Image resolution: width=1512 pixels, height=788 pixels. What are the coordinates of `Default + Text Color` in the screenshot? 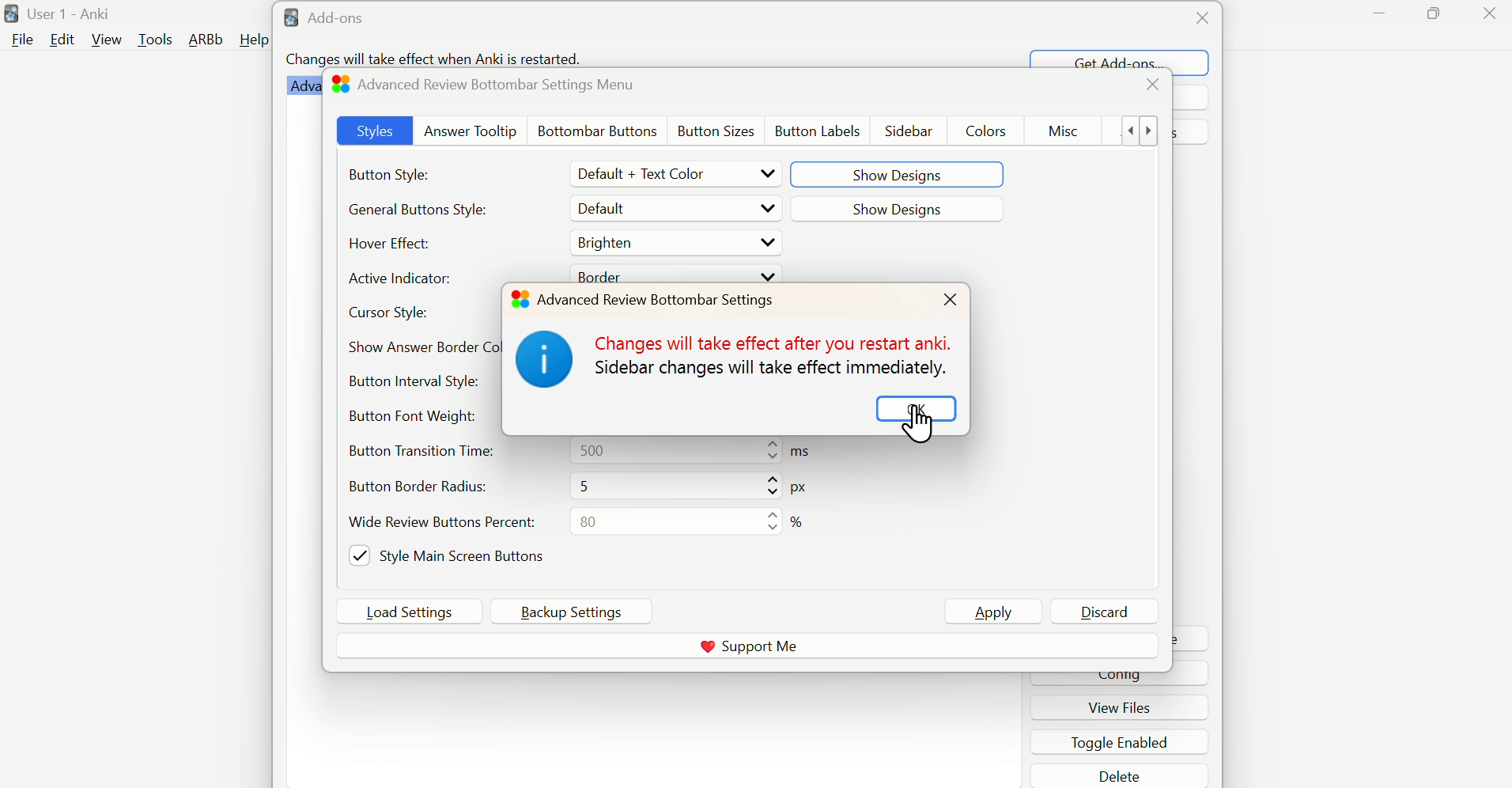 It's located at (639, 172).